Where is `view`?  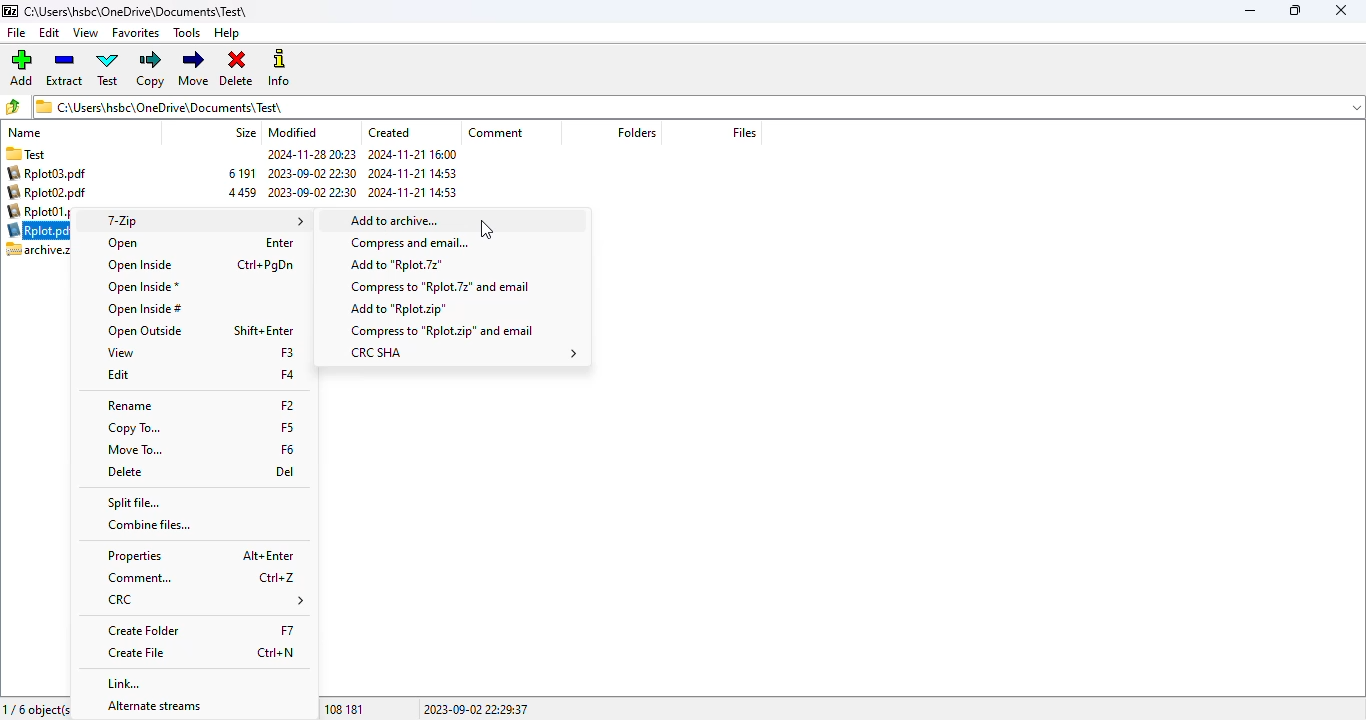 view is located at coordinates (85, 33).